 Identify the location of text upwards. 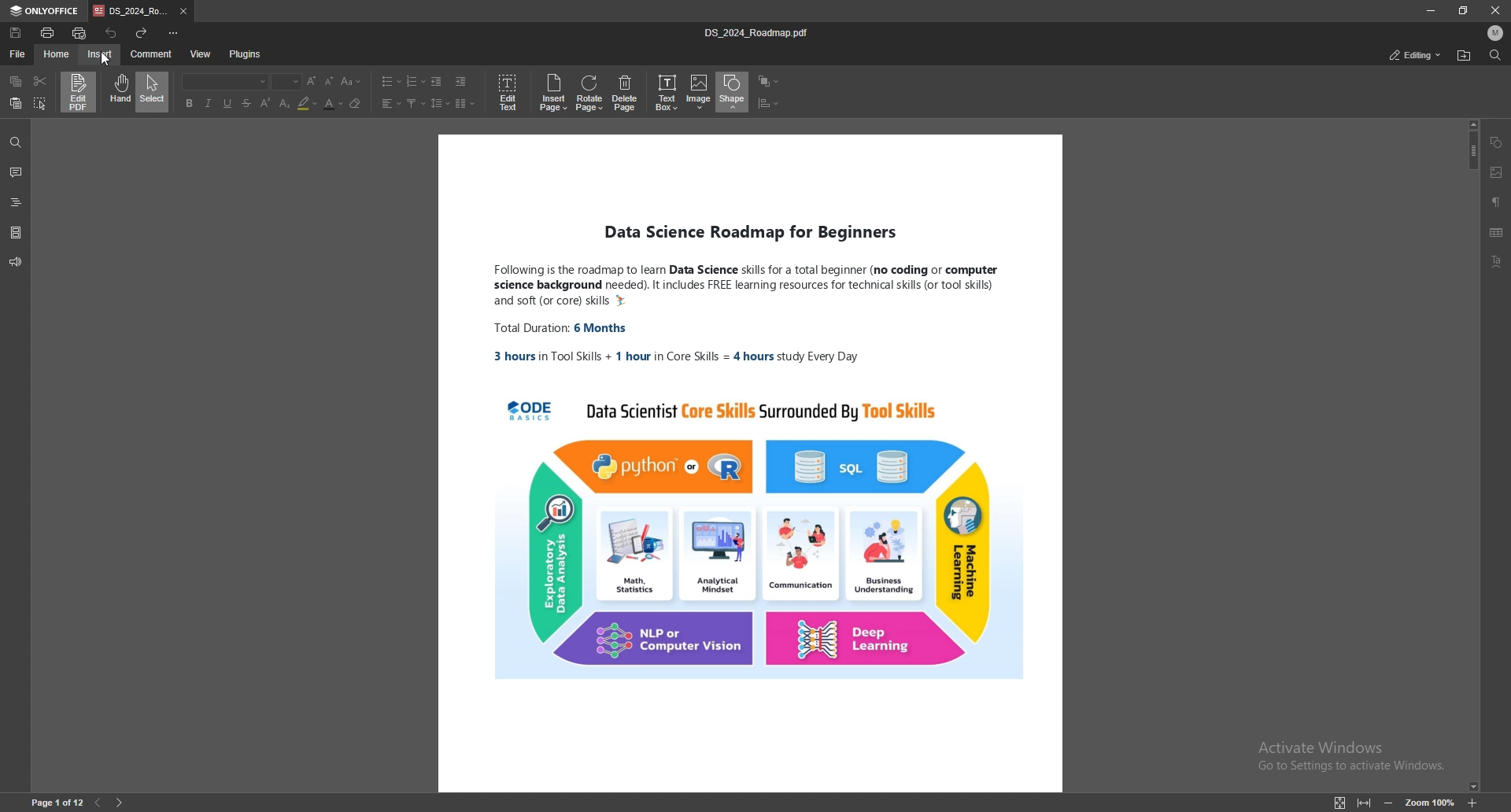
(414, 103).